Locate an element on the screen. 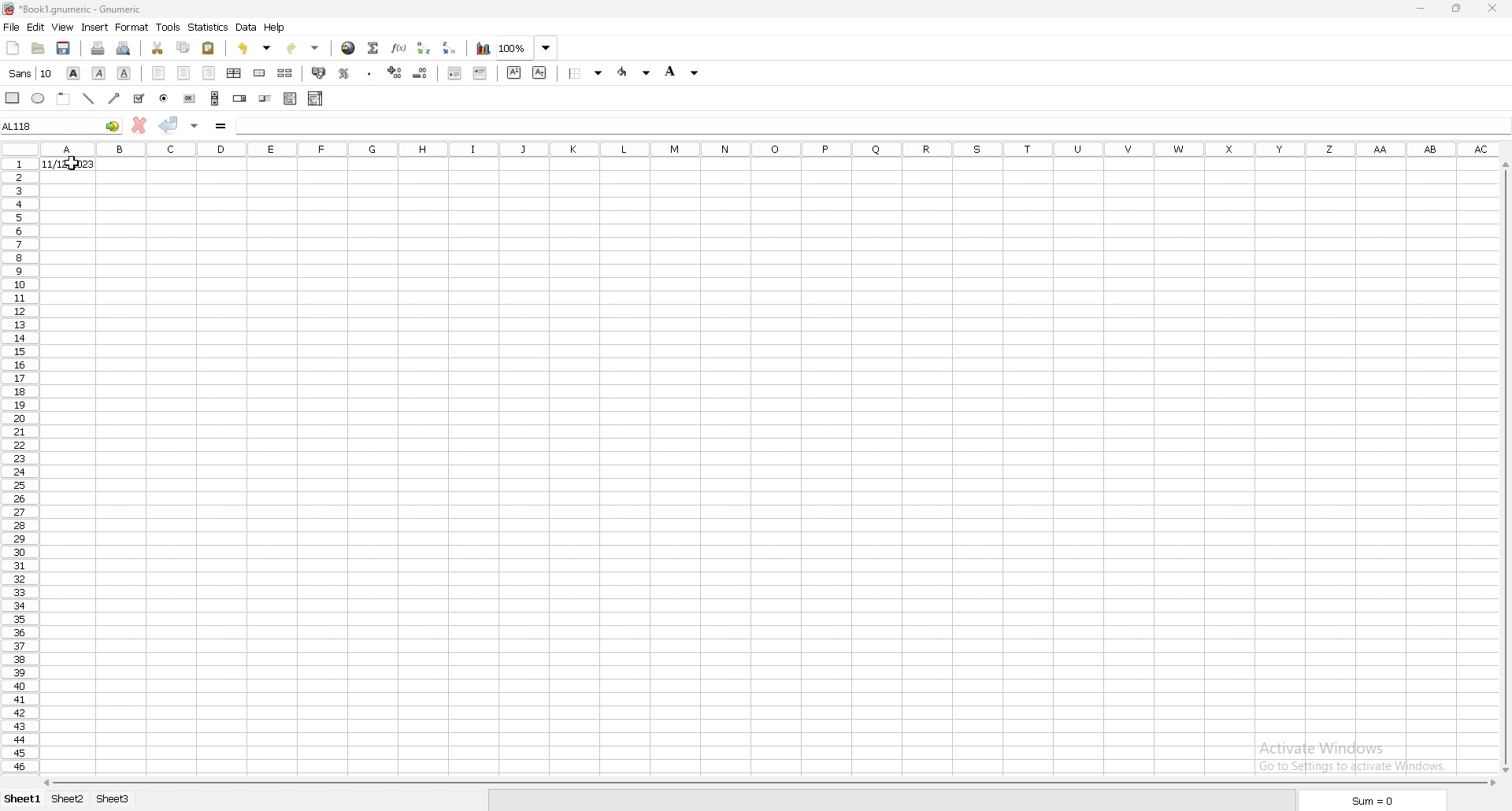 The height and width of the screenshot is (811, 1512). centre is located at coordinates (183, 72).